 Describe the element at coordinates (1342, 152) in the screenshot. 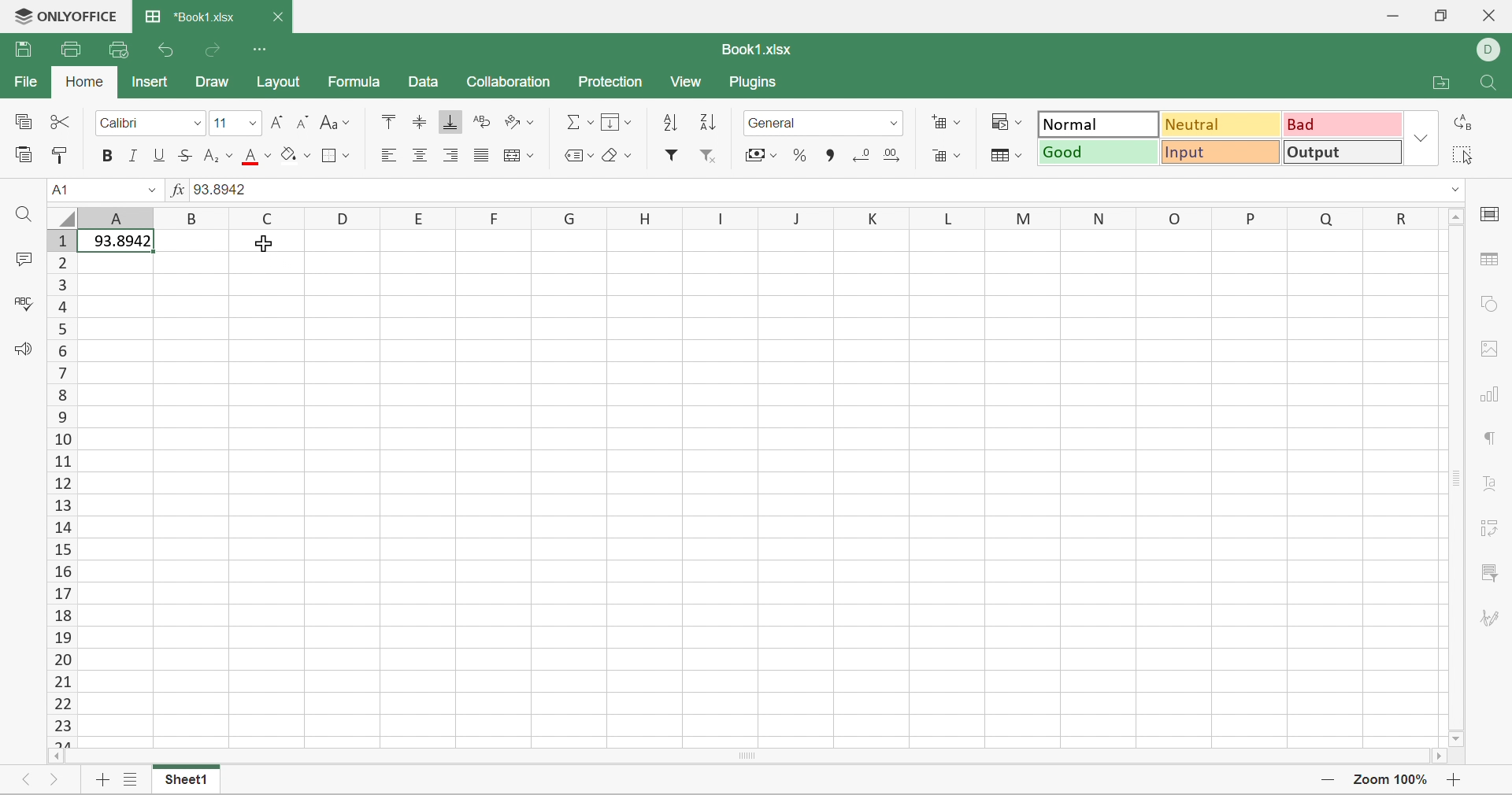

I see `Output` at that location.